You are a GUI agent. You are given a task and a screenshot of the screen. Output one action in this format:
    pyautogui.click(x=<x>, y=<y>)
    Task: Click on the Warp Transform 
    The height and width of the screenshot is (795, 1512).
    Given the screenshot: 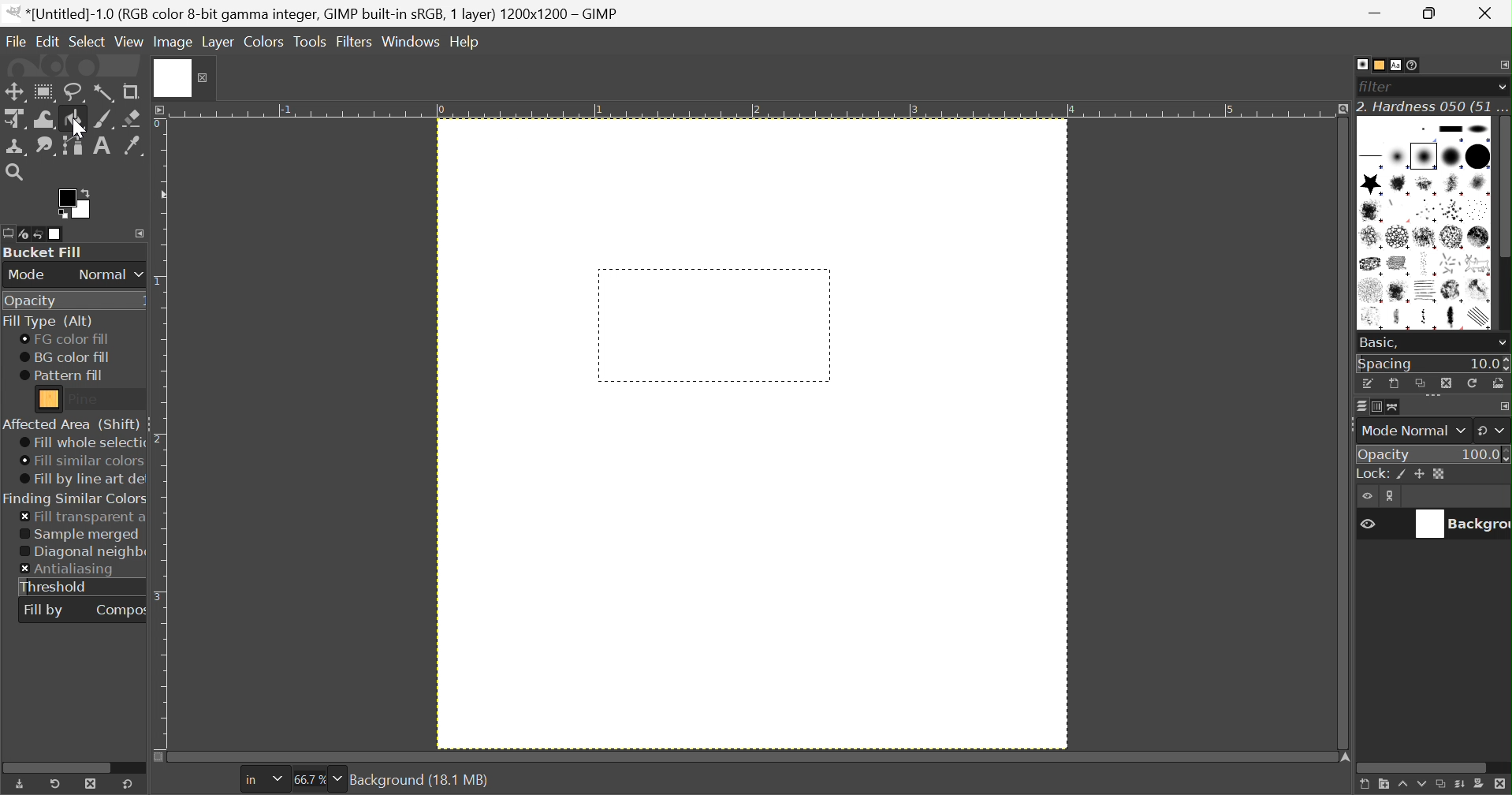 What is the action you would take?
    pyautogui.click(x=45, y=119)
    